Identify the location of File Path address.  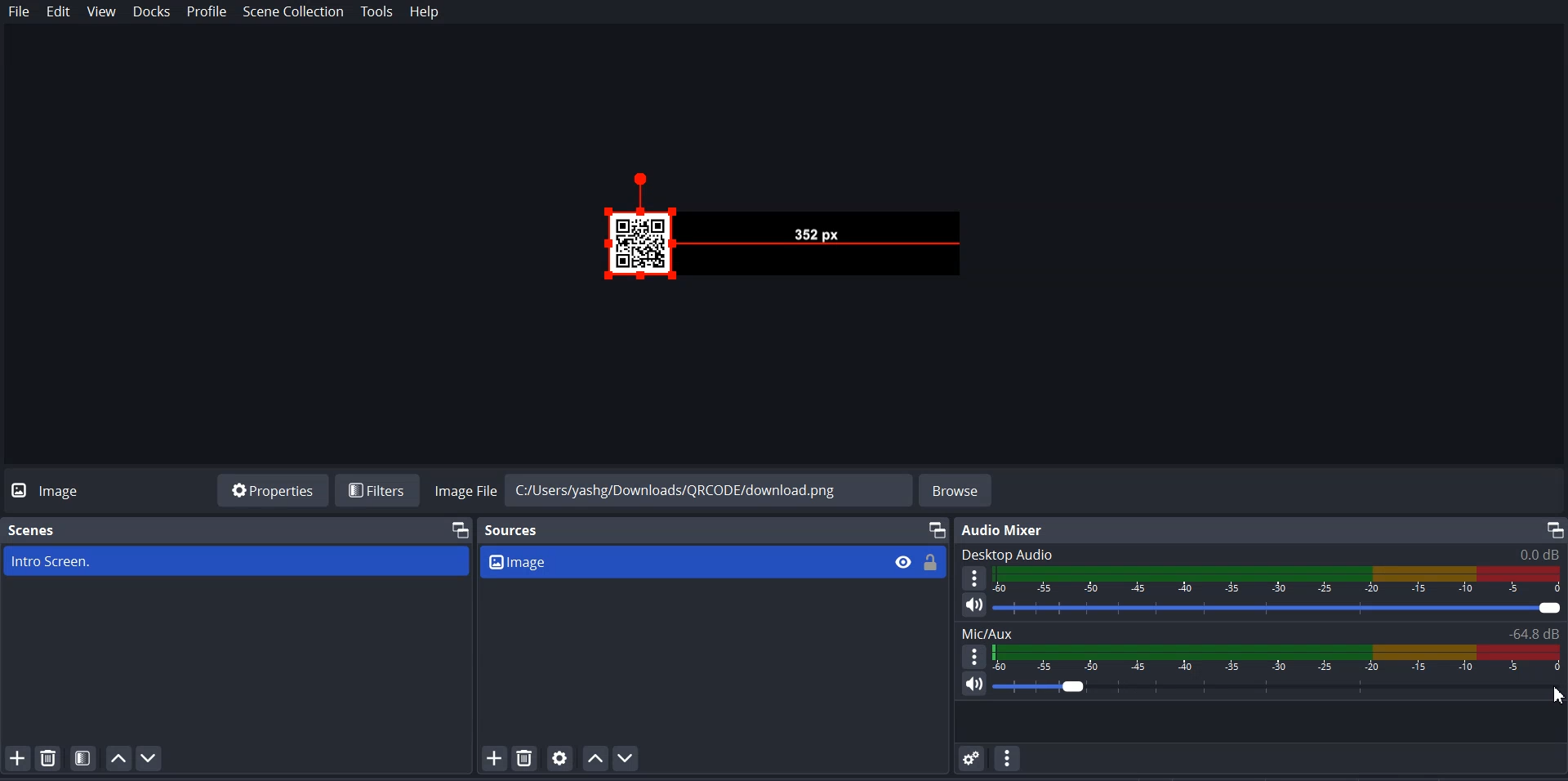
(672, 489).